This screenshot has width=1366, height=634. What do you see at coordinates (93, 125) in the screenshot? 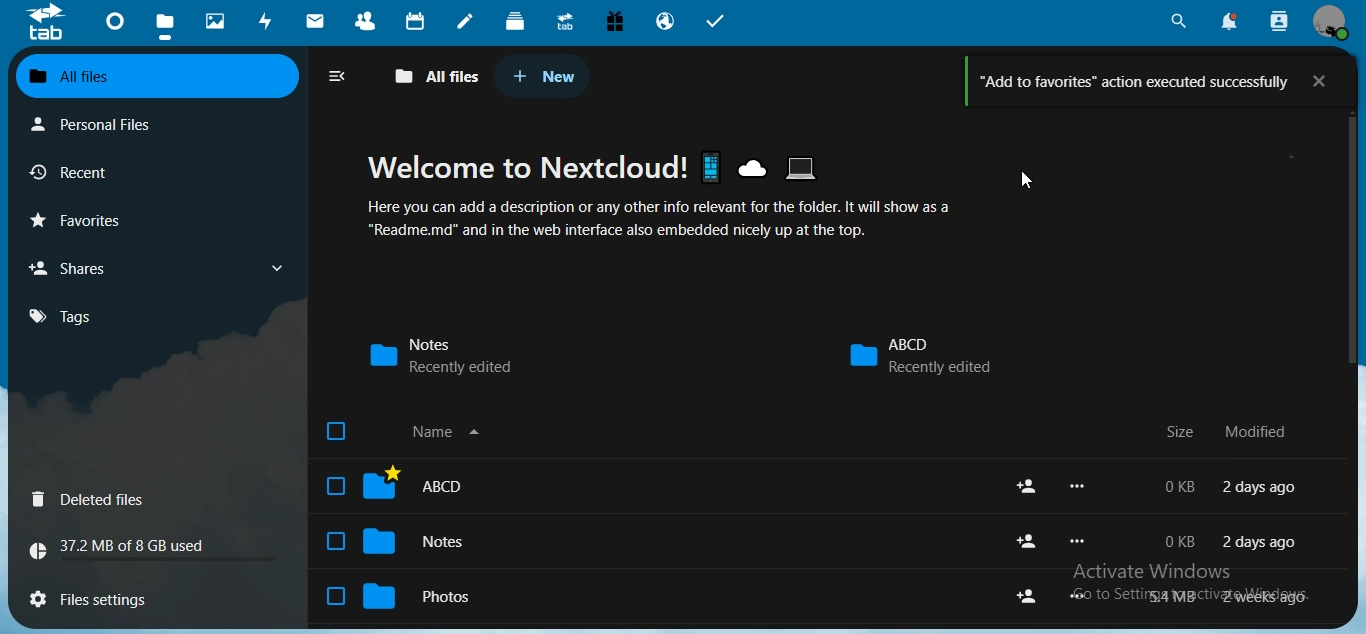
I see `personal files` at bounding box center [93, 125].